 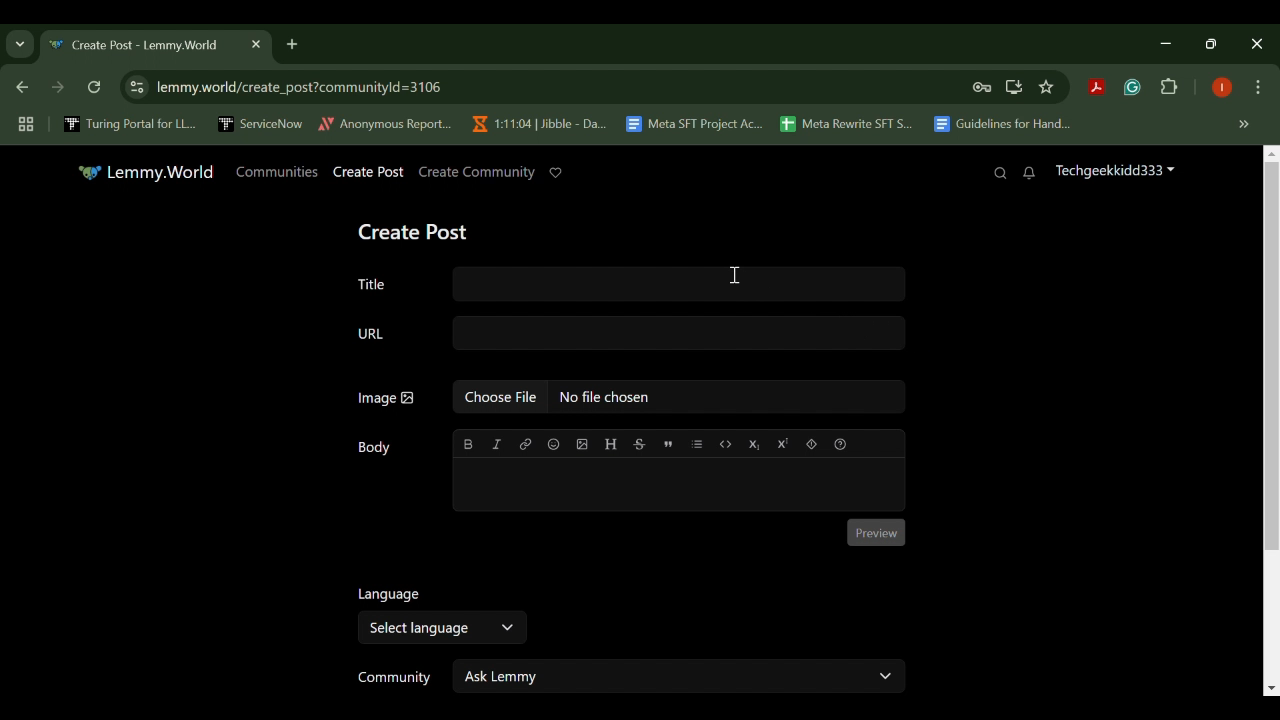 I want to click on Notifications, so click(x=1030, y=174).